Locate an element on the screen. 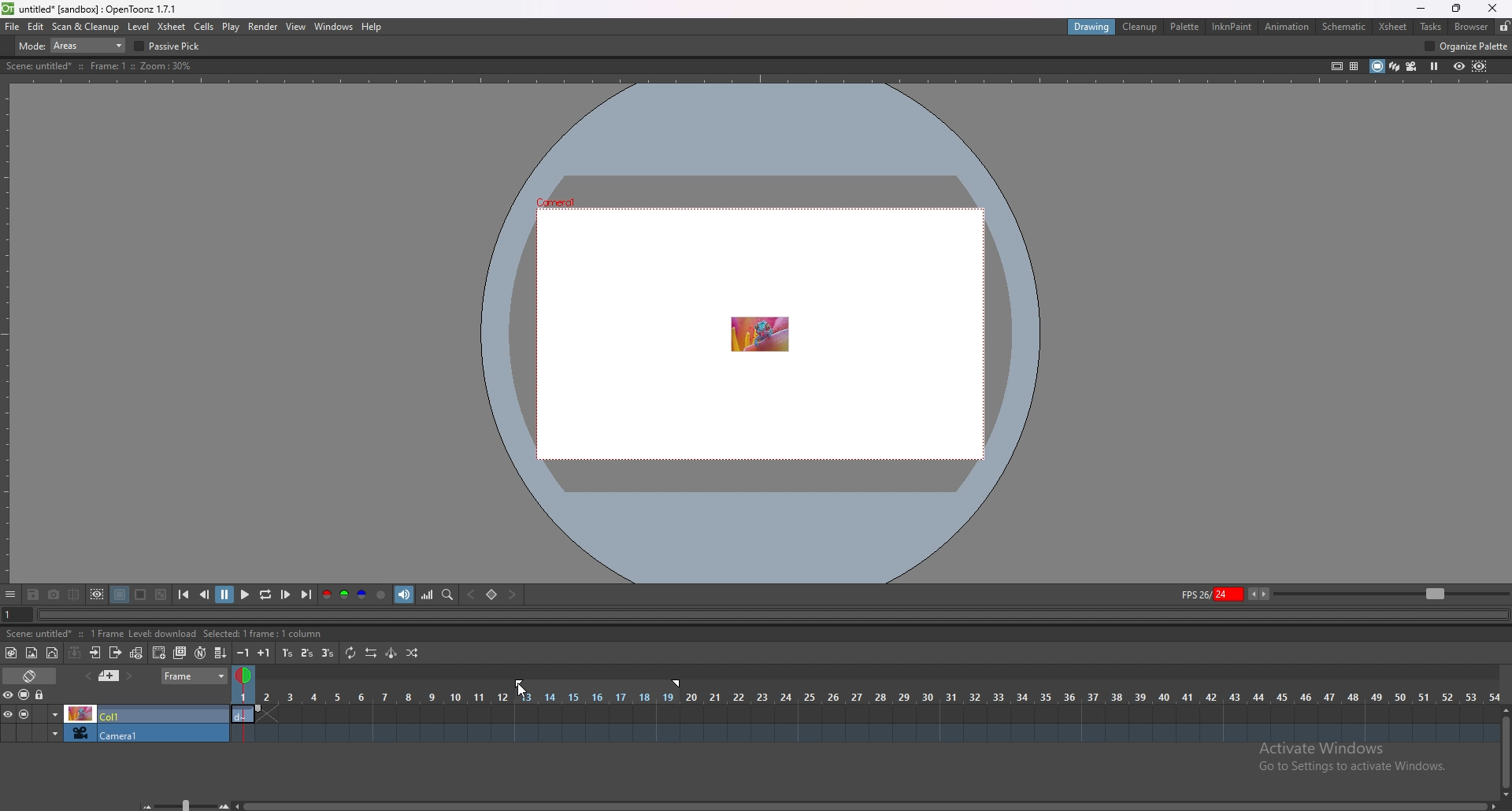  add memo is located at coordinates (87, 676).